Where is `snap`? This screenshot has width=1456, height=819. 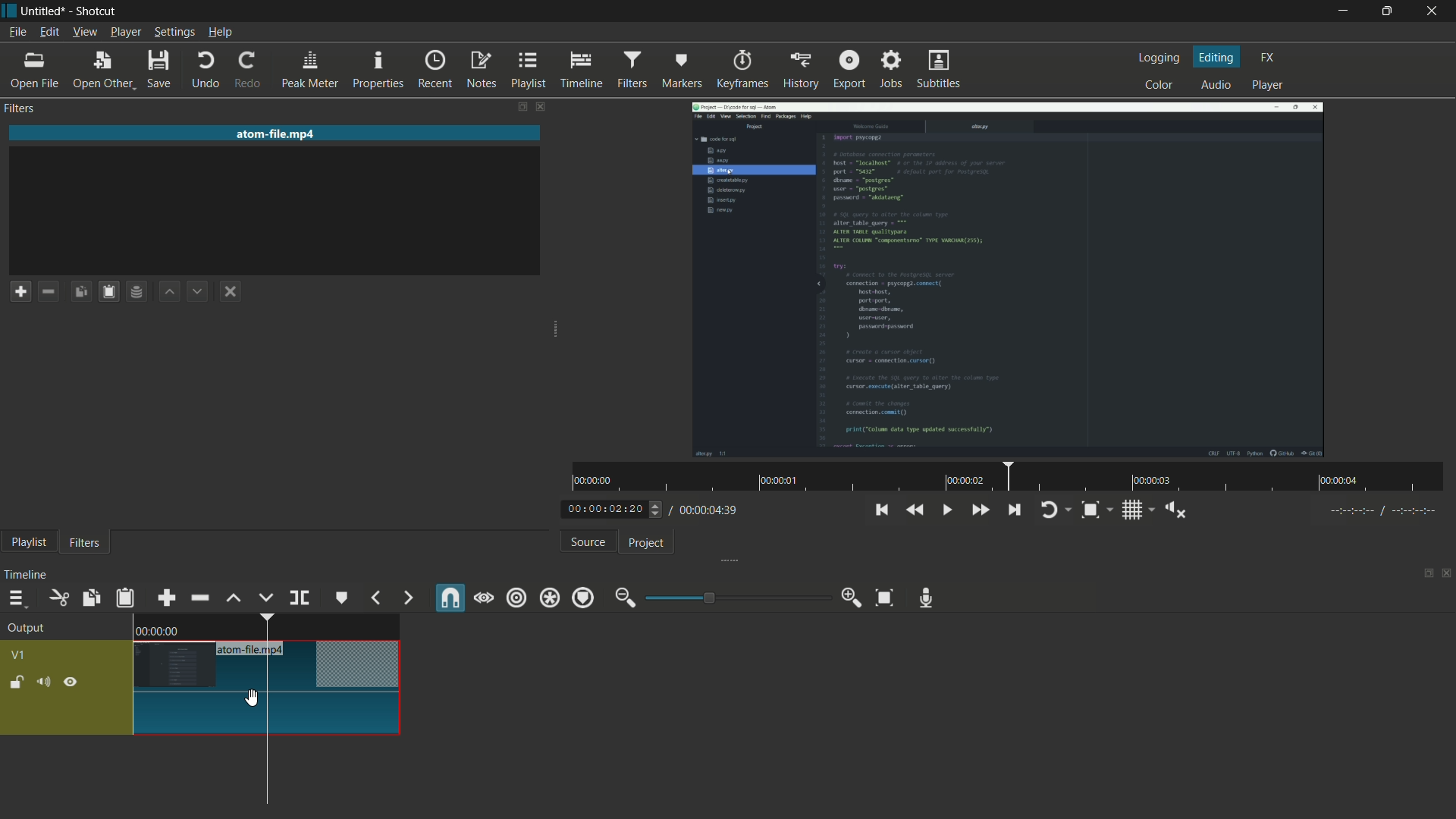
snap is located at coordinates (449, 598).